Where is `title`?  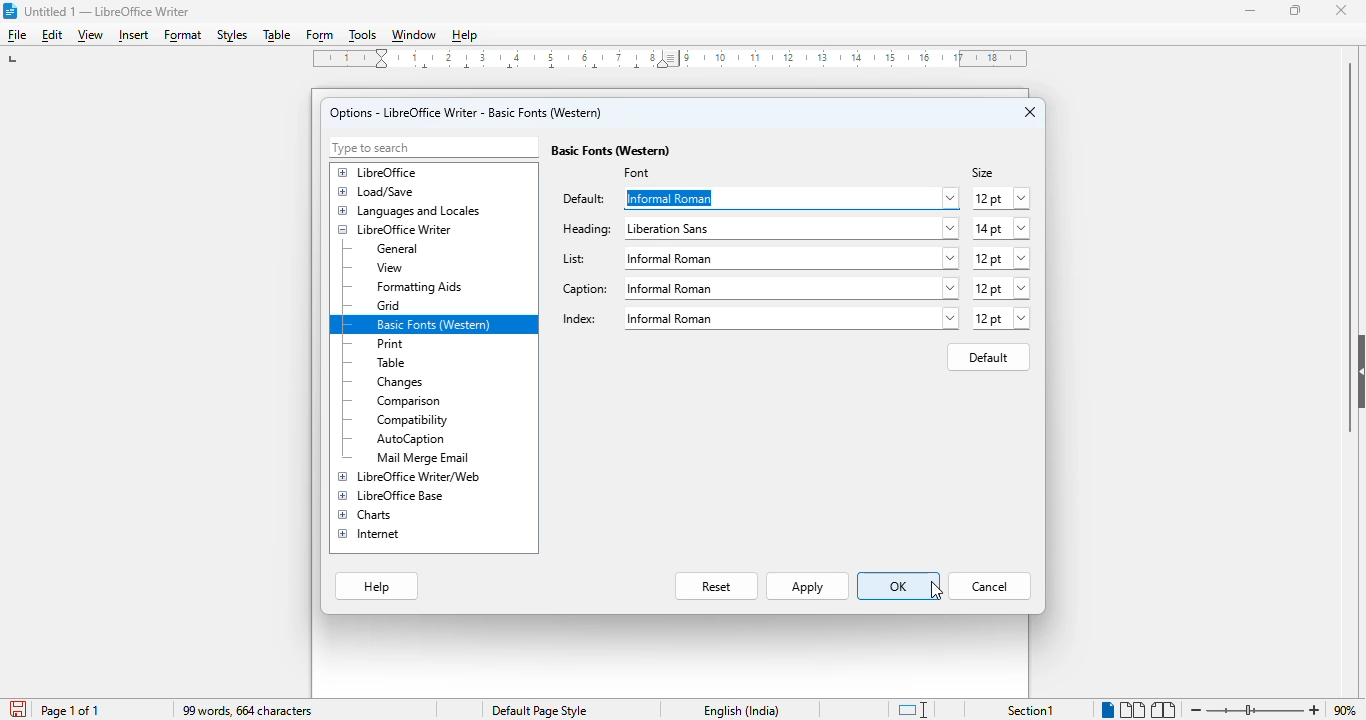
title is located at coordinates (106, 11).